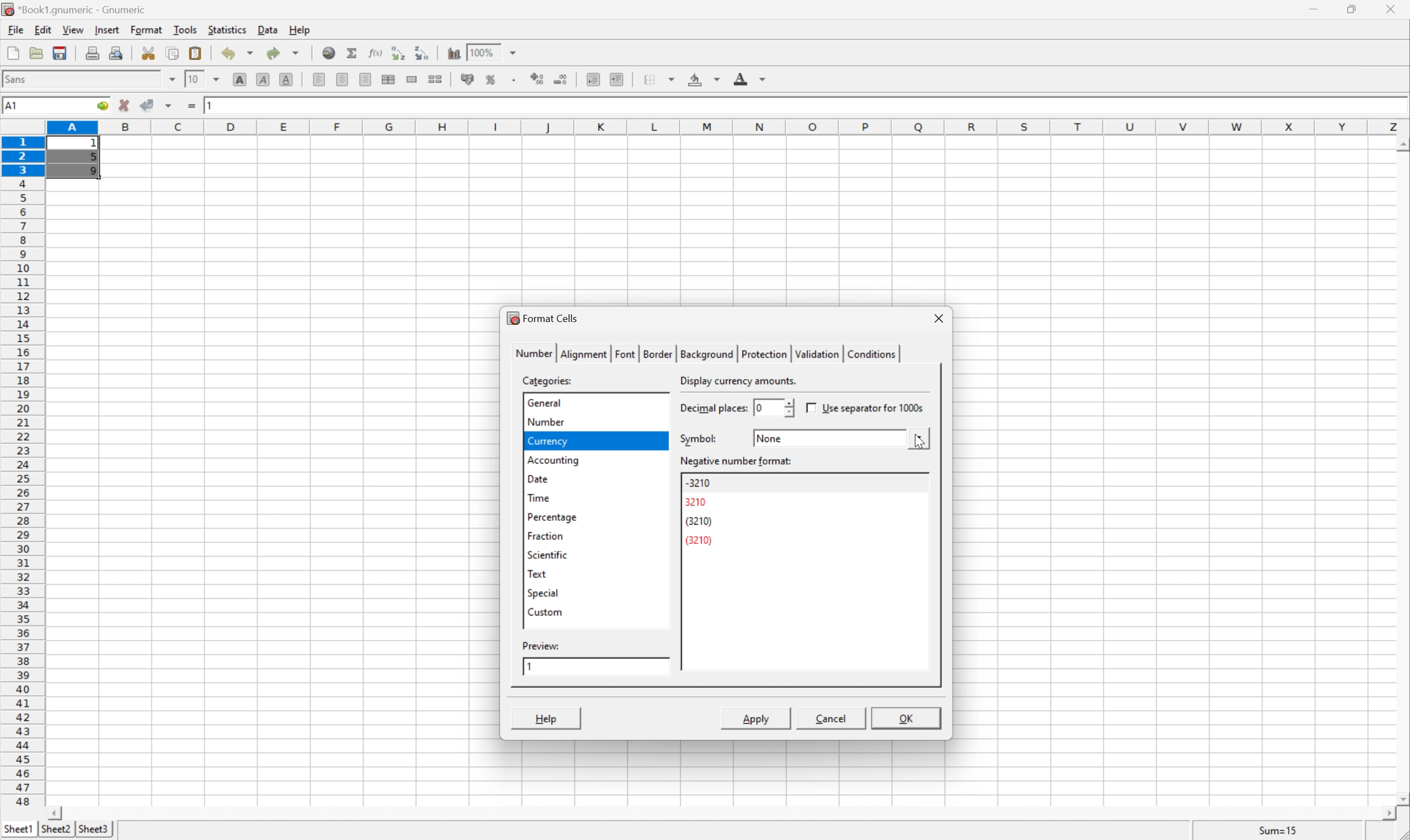  I want to click on split merged ranges of cells, so click(437, 78).